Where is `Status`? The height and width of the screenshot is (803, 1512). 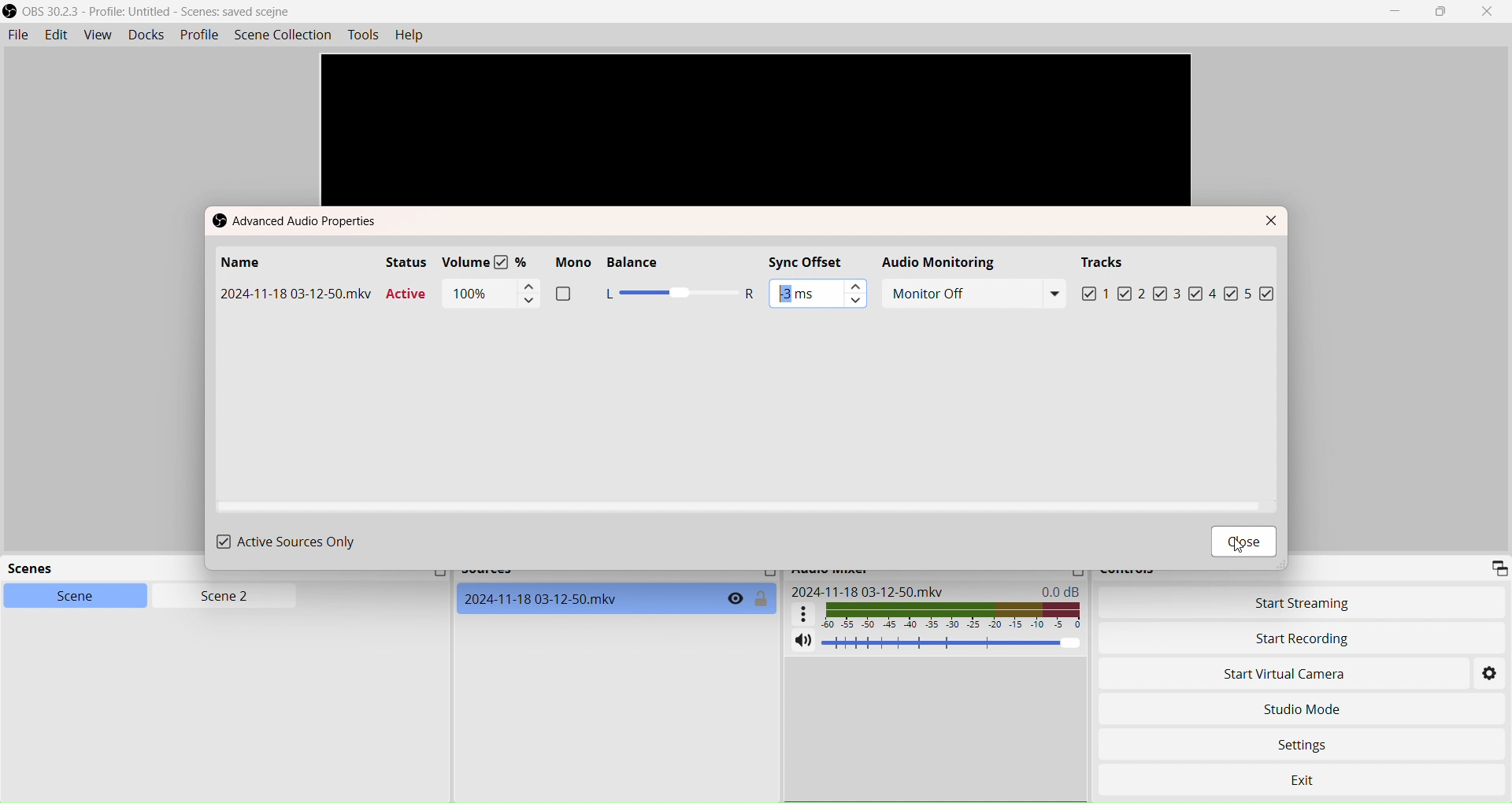
Status is located at coordinates (406, 262).